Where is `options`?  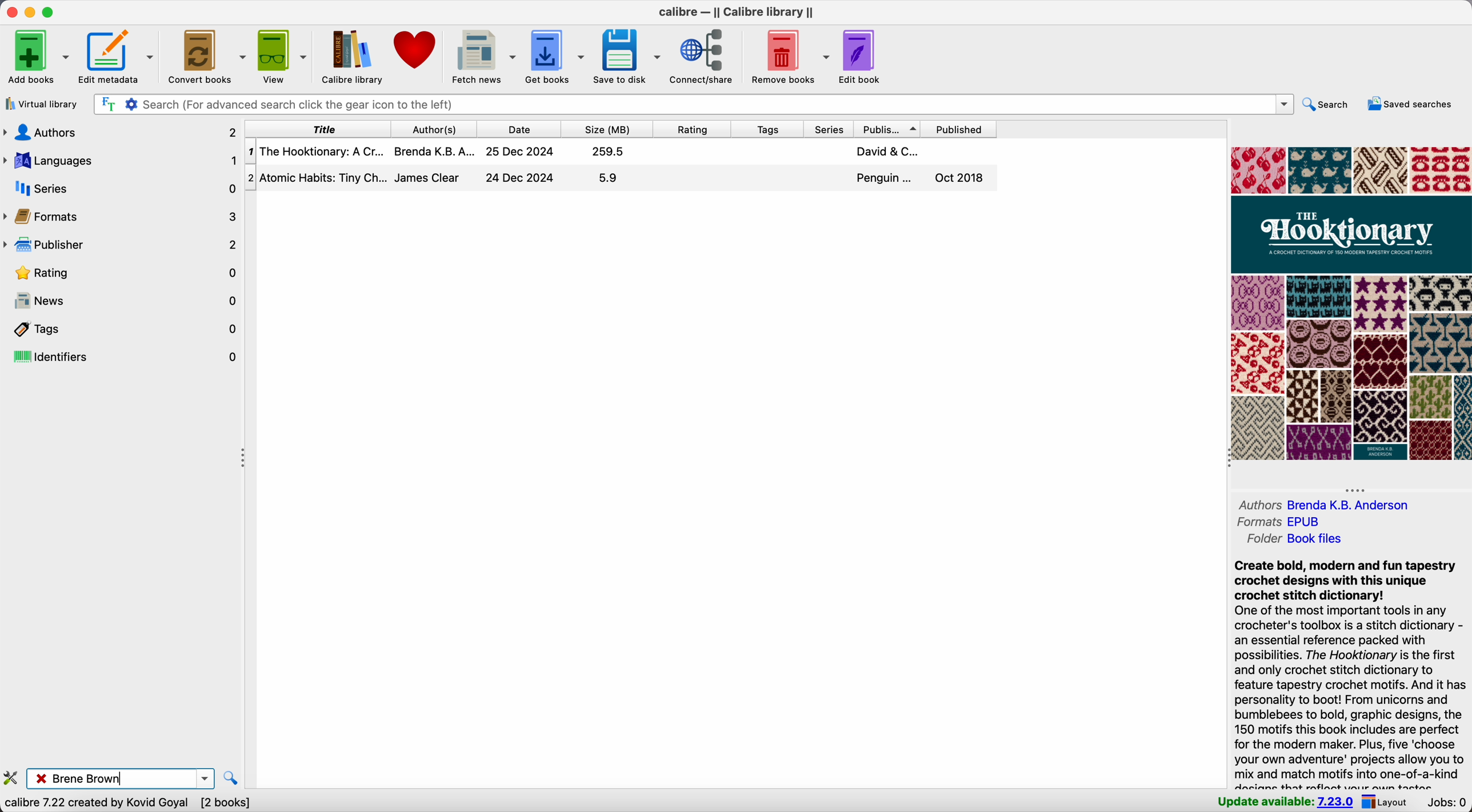
options is located at coordinates (206, 778).